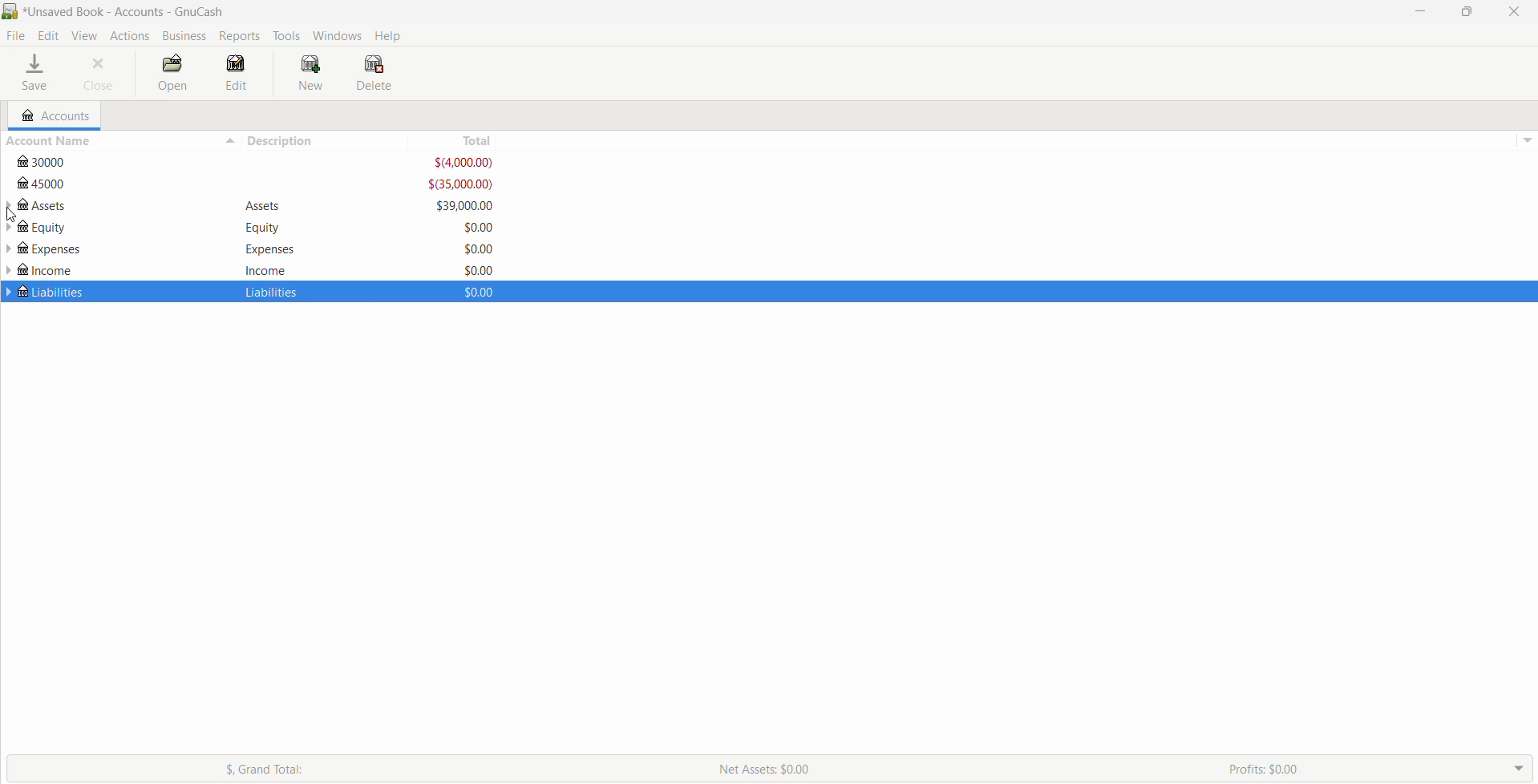 The height and width of the screenshot is (784, 1538). What do you see at coordinates (121, 182) in the screenshot?
I see `45000` at bounding box center [121, 182].